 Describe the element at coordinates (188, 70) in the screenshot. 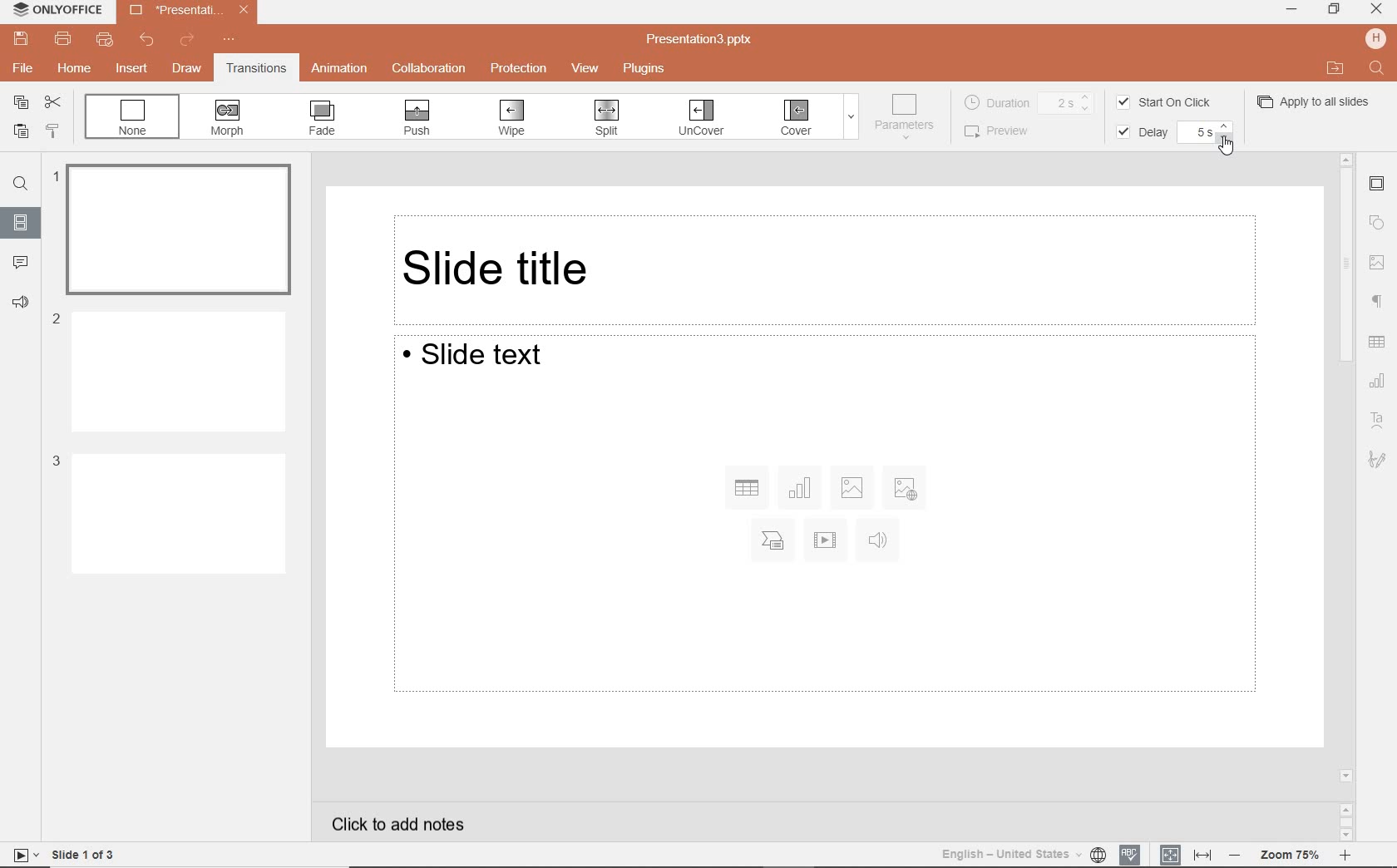

I see `draw` at that location.